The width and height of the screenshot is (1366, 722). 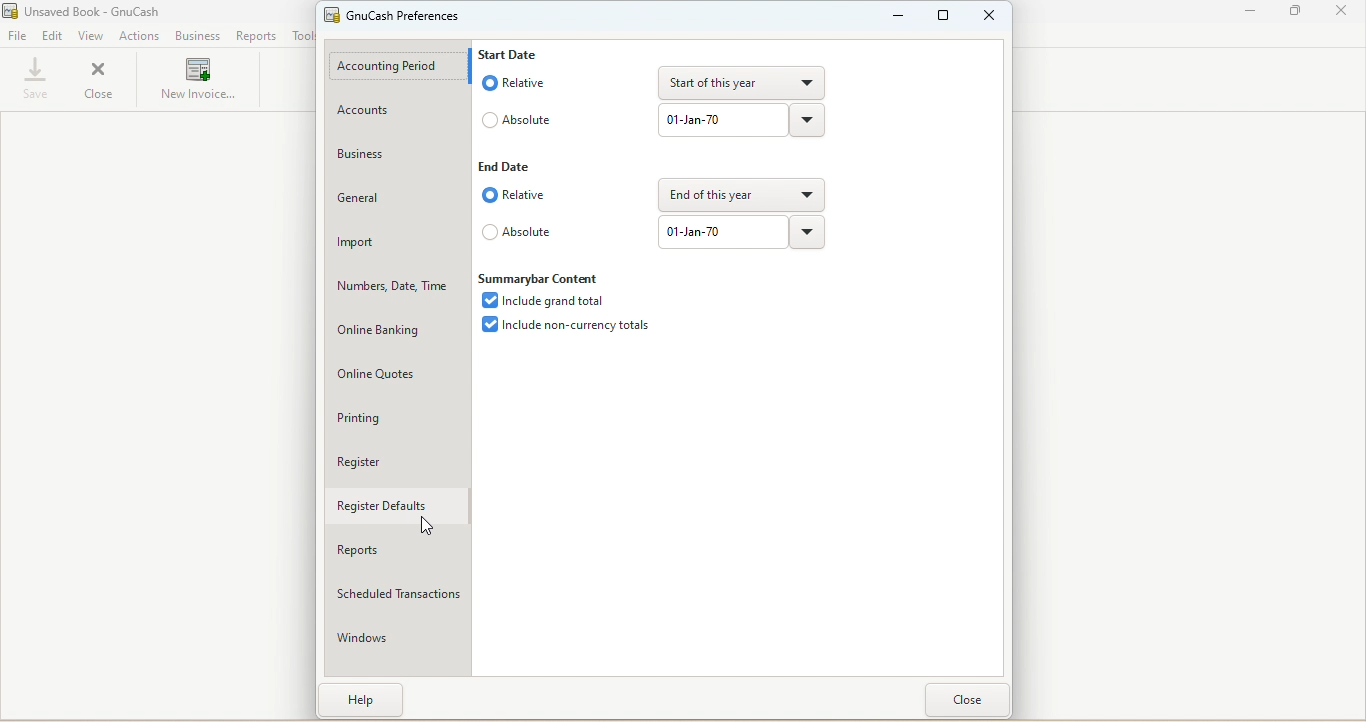 I want to click on Close, so click(x=989, y=17).